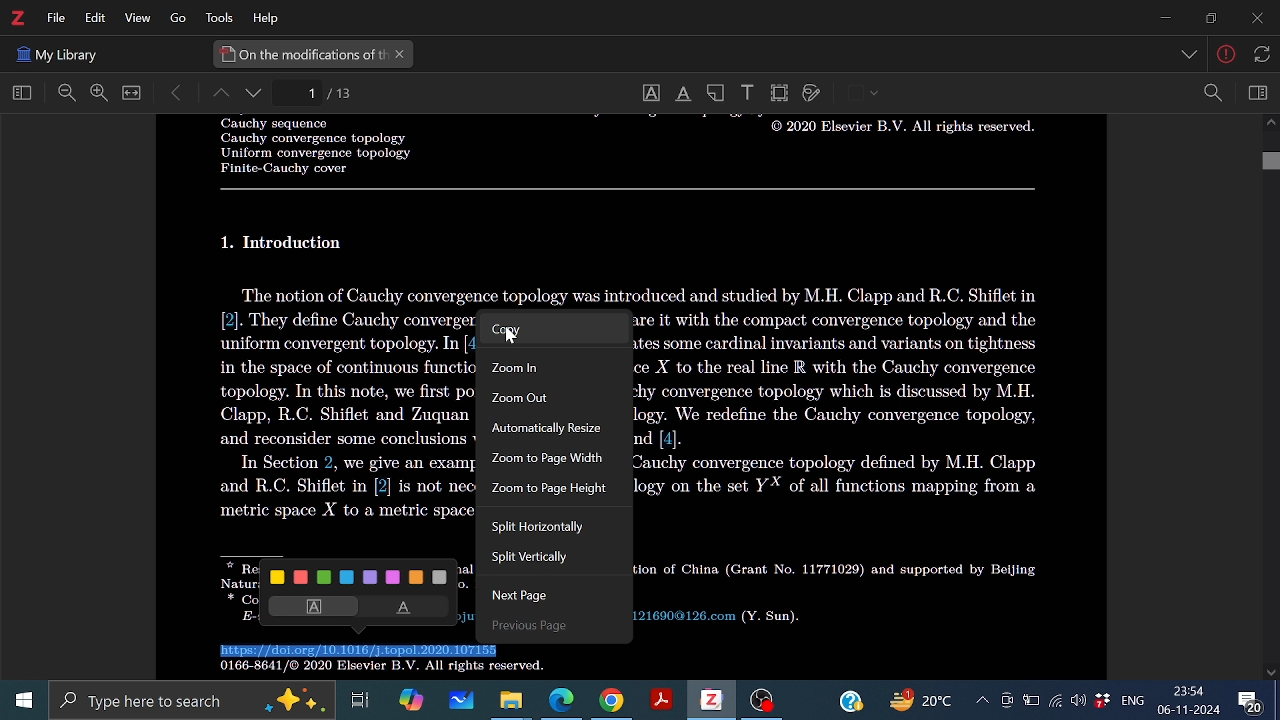 The height and width of the screenshot is (720, 1280). Describe the element at coordinates (1006, 701) in the screenshot. I see `Meet` at that location.